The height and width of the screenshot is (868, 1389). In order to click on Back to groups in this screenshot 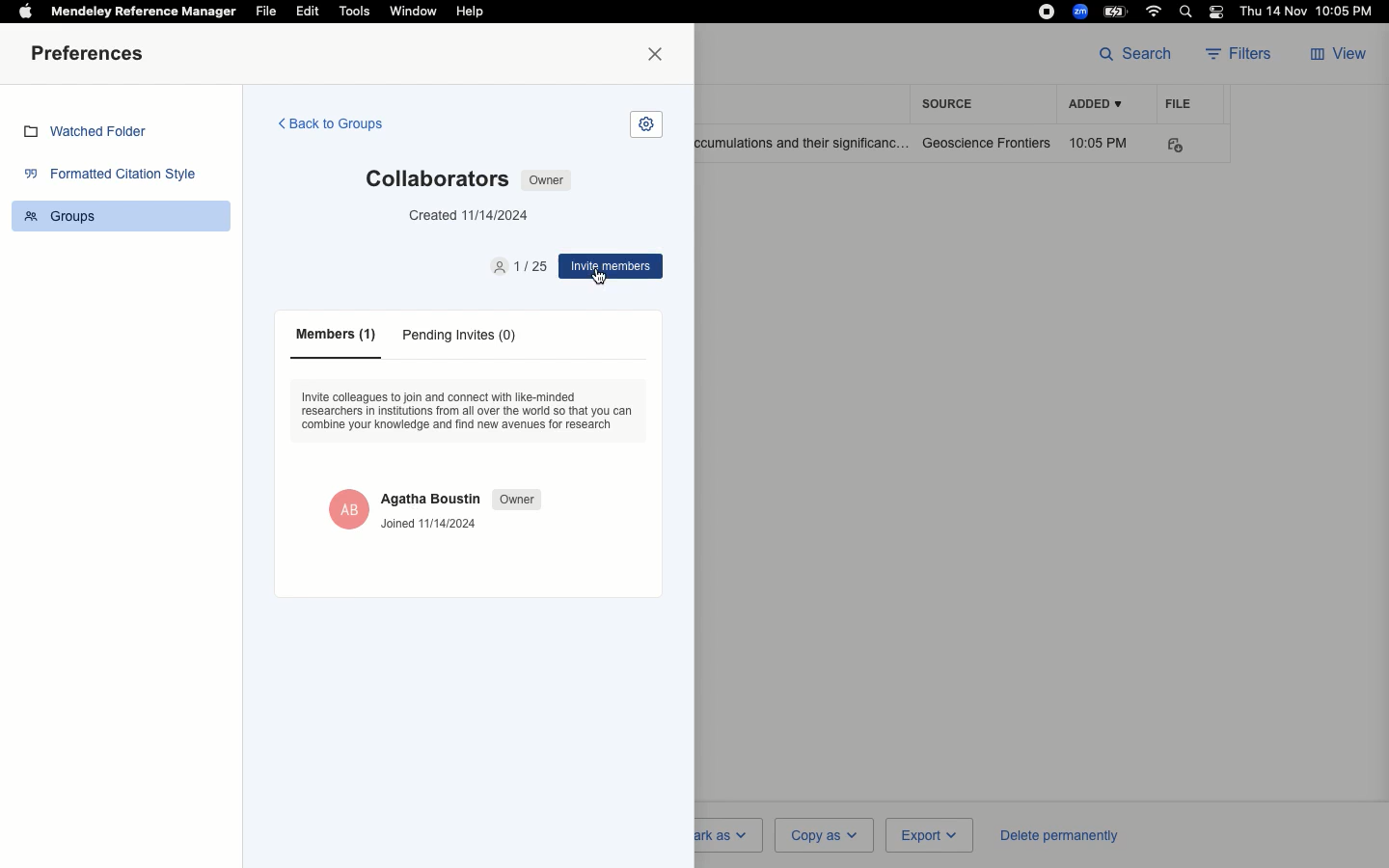, I will do `click(329, 125)`.